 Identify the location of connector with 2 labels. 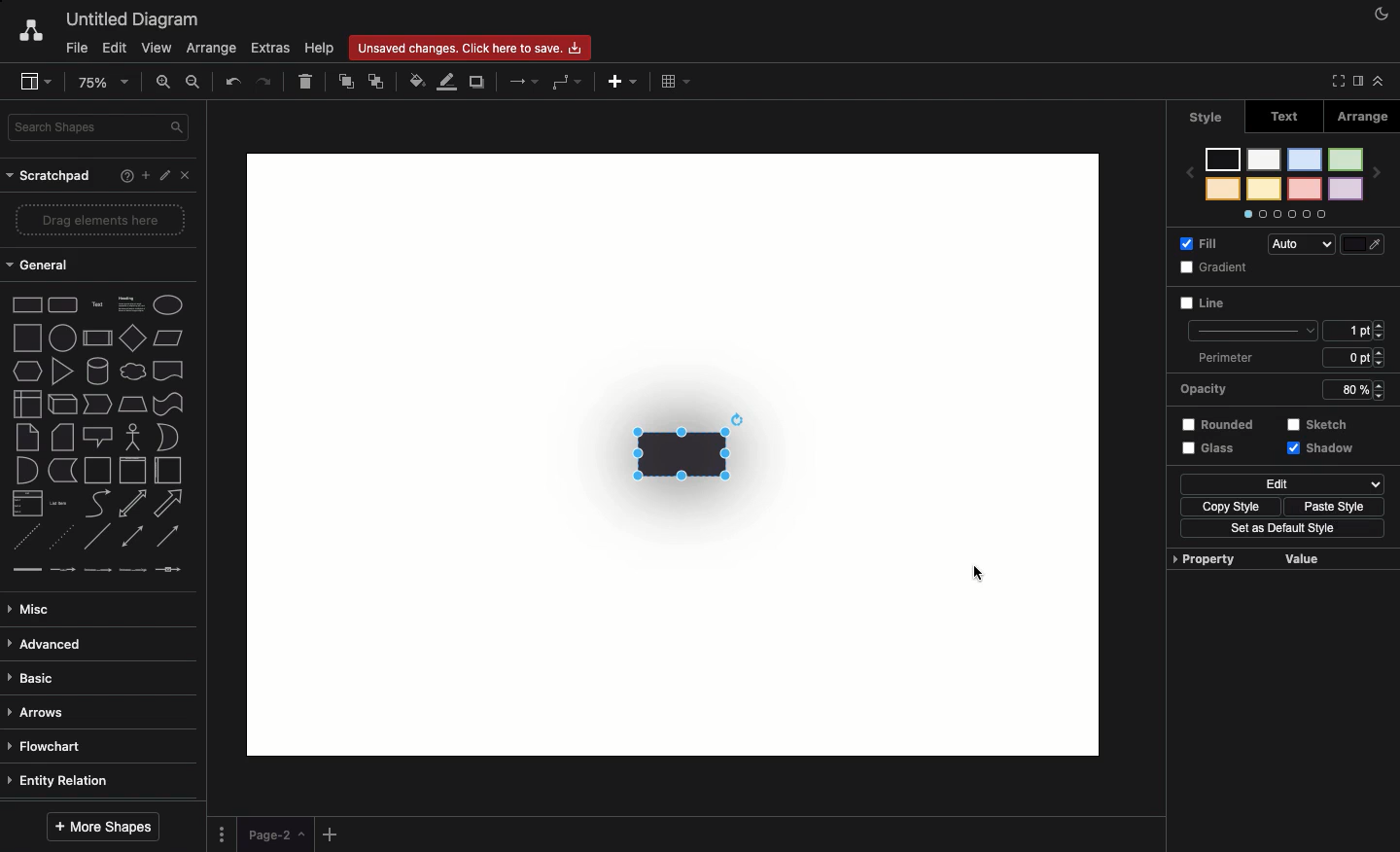
(97, 571).